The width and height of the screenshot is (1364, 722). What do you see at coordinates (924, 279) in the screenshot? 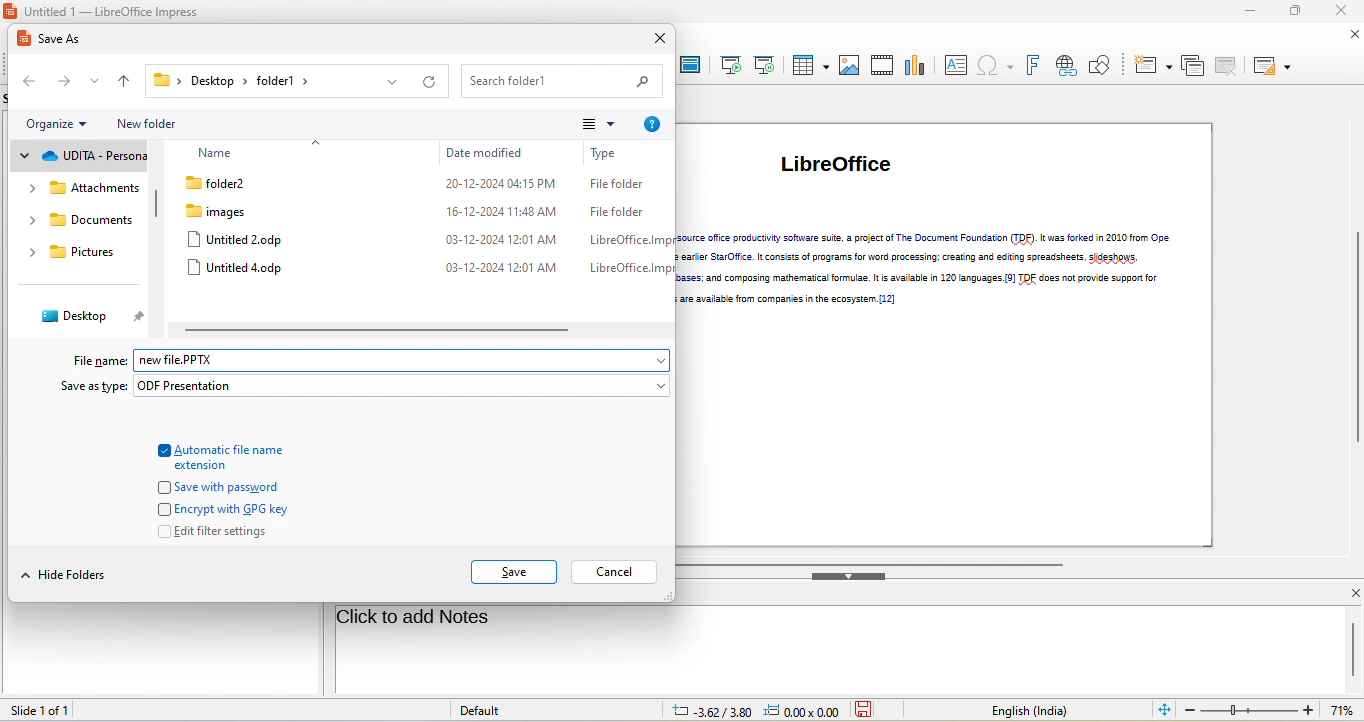
I see `diagrams, and drawings: working with databases; and composing mathematical formulae. It is available in 120 languages. [9] TDF does not provide support for
jiagr` at bounding box center [924, 279].